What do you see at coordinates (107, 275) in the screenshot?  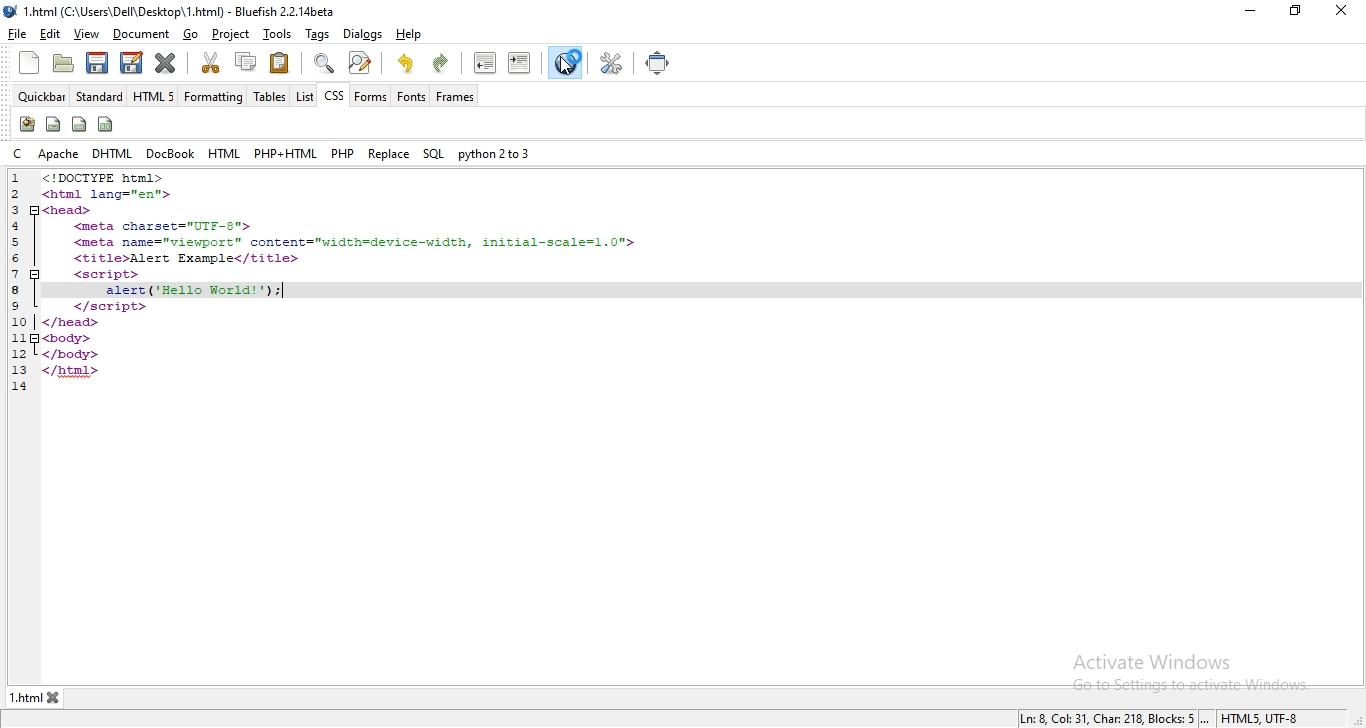 I see `<script>` at bounding box center [107, 275].